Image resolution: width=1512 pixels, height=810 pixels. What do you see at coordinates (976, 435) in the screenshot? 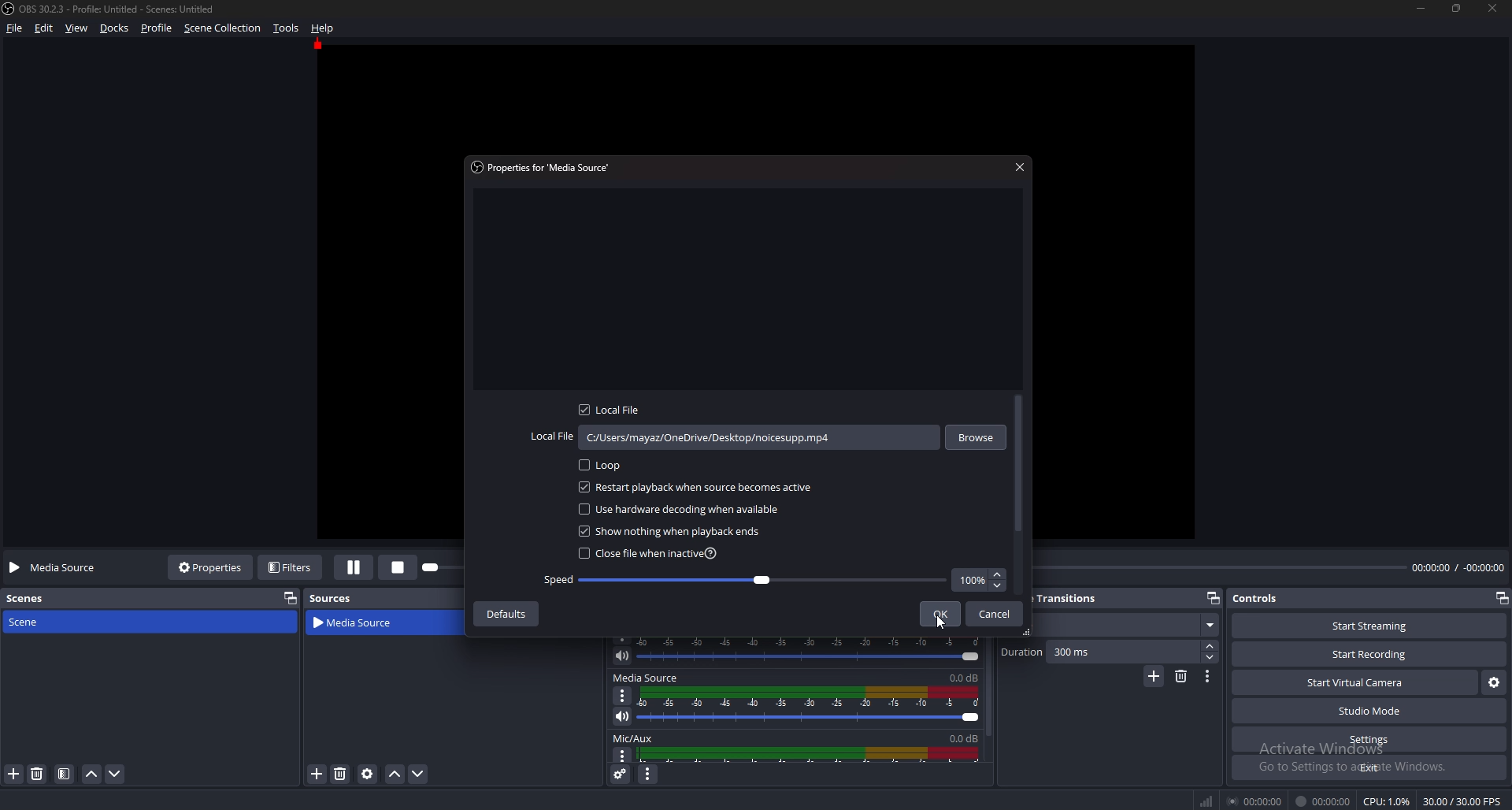
I see `Browse` at bounding box center [976, 435].